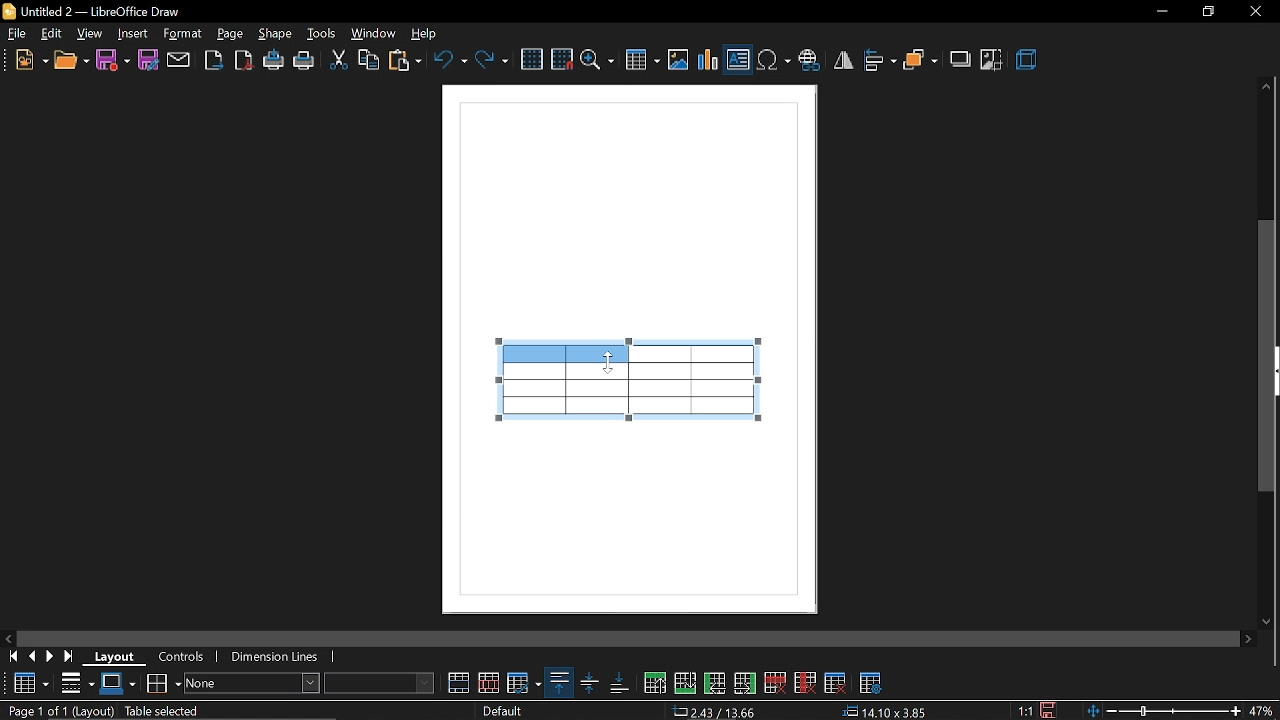 This screenshot has width=1280, height=720. I want to click on Table, so click(29, 682).